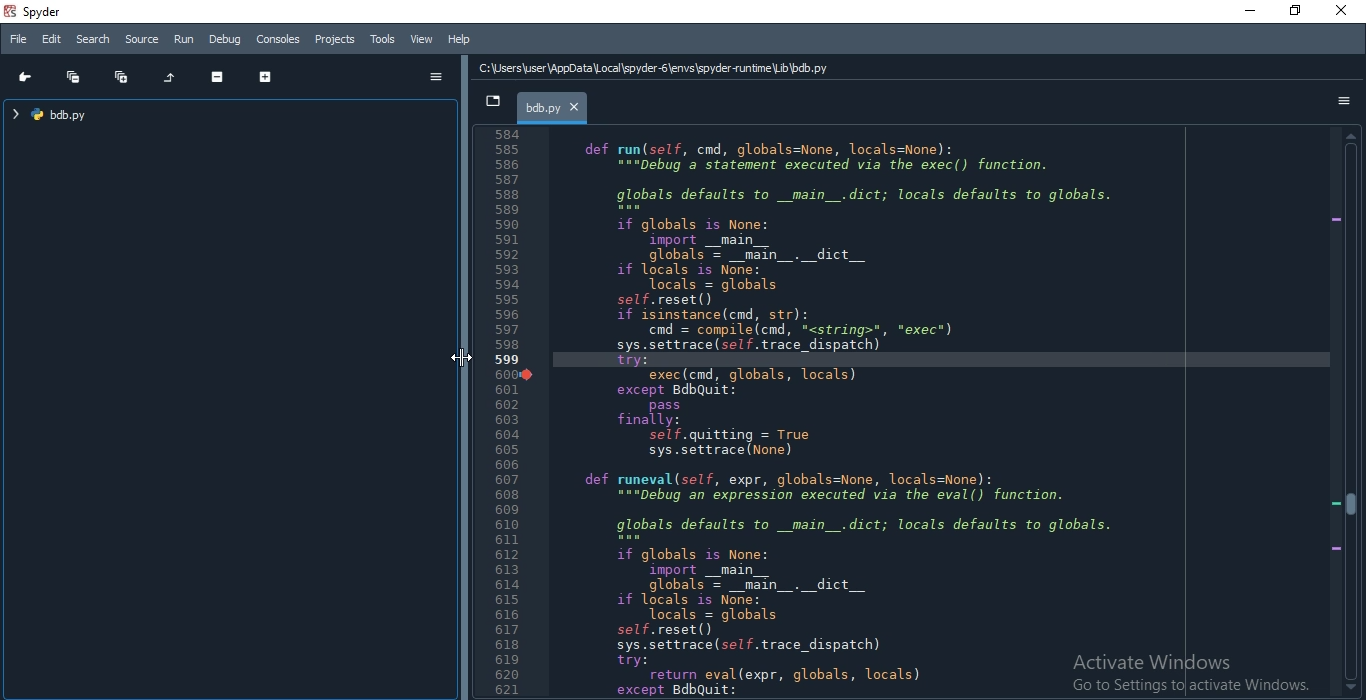  What do you see at coordinates (19, 41) in the screenshot?
I see `File ` at bounding box center [19, 41].